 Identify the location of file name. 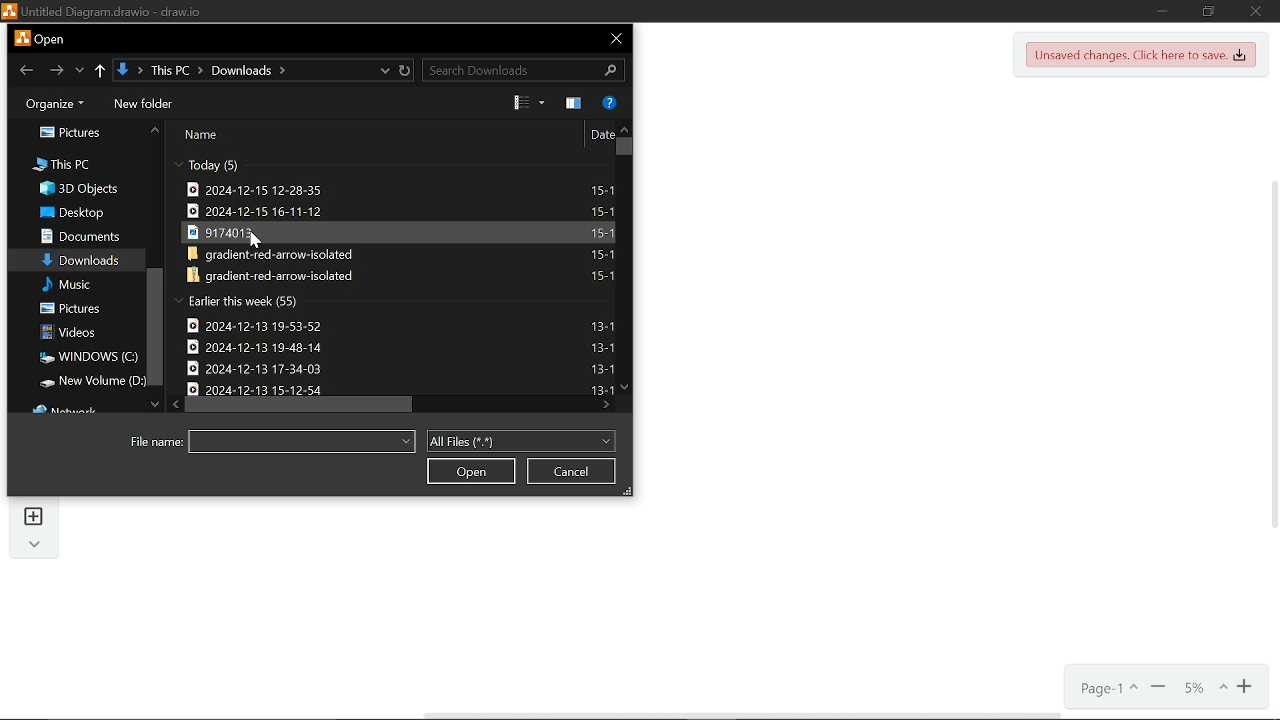
(150, 442).